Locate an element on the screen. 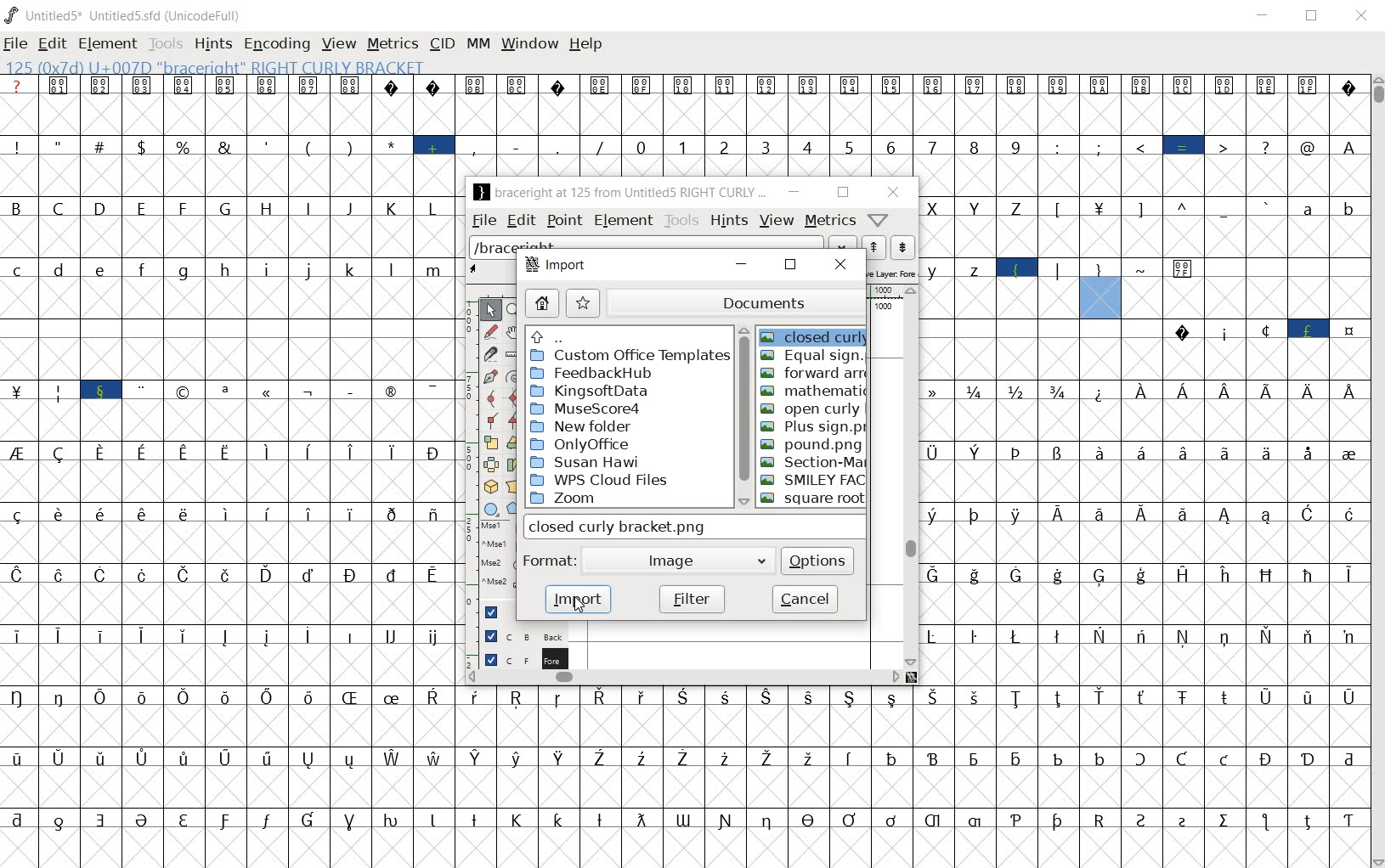 The width and height of the screenshot is (1385, 868). minimize is located at coordinates (793, 192).